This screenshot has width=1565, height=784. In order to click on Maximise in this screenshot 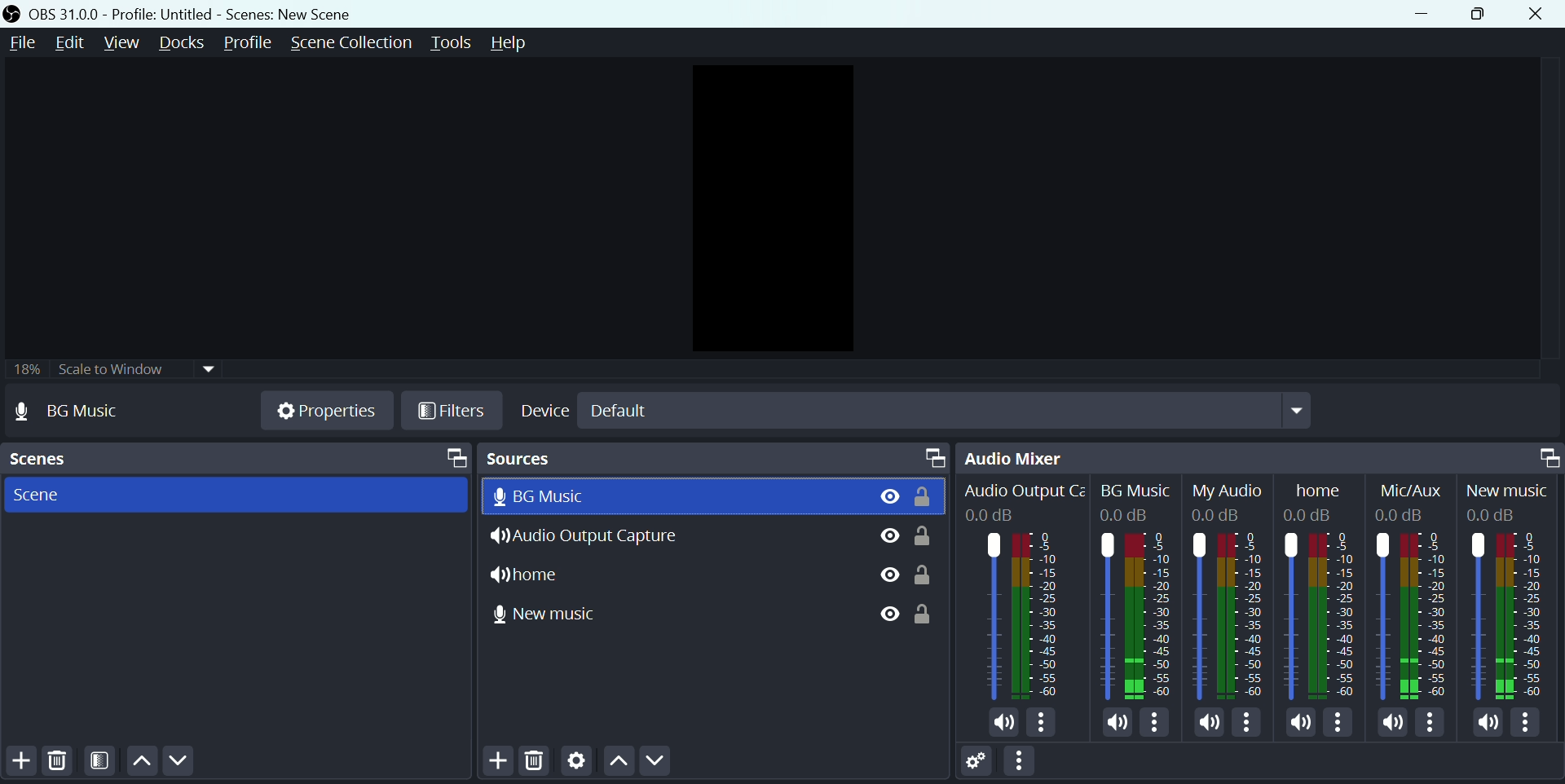, I will do `click(1480, 14)`.